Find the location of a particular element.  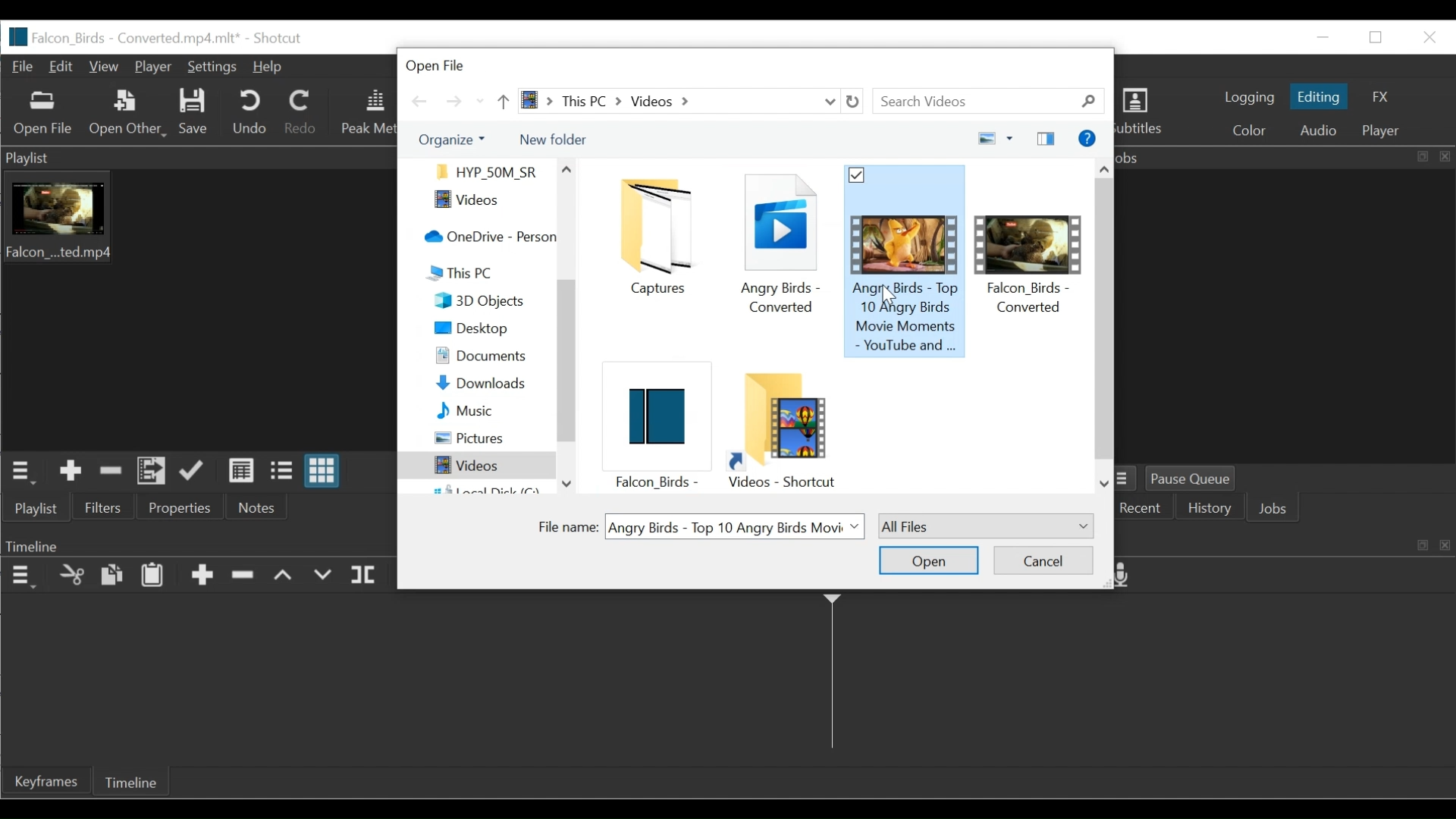

Colr is located at coordinates (1250, 129).